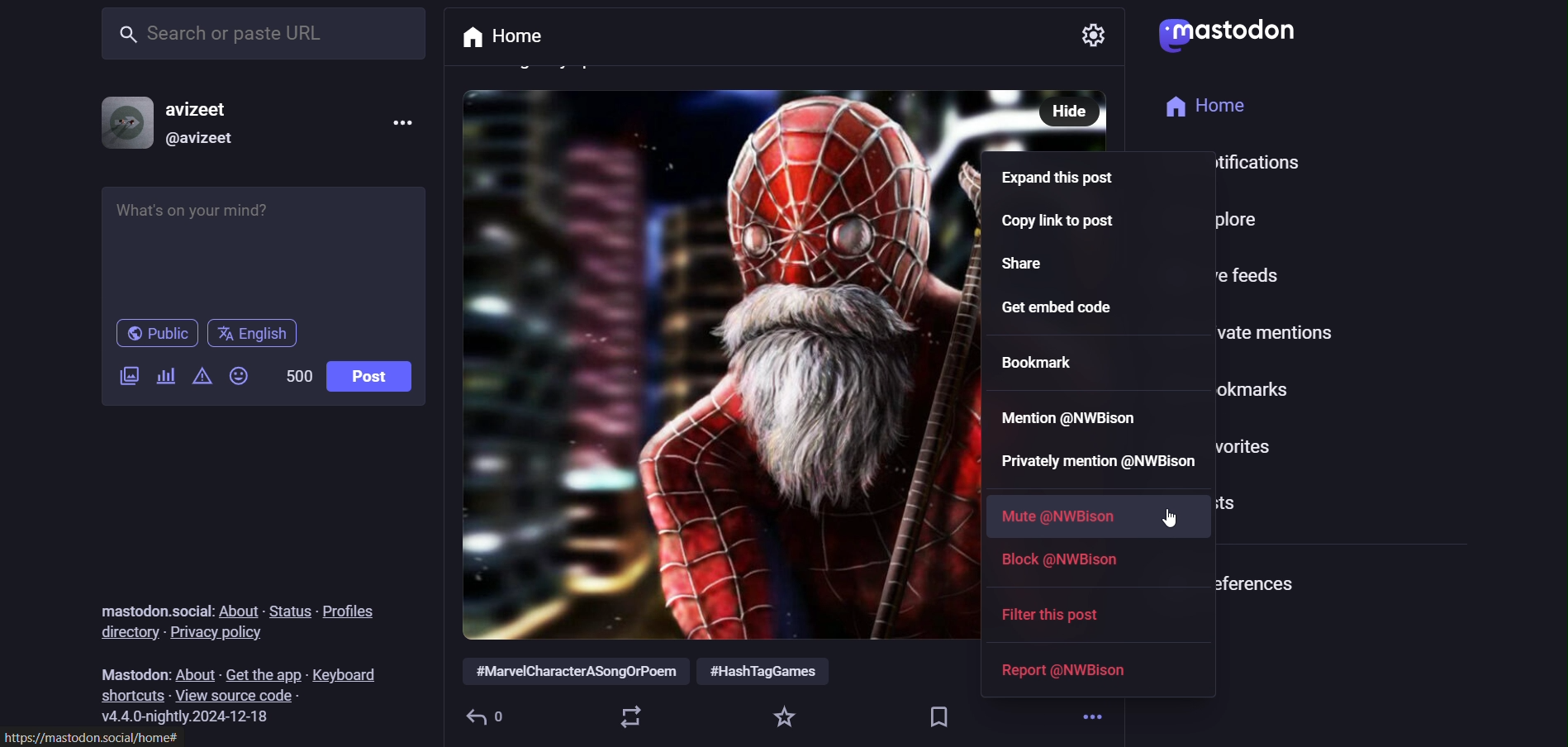 The width and height of the screenshot is (1568, 747). Describe the element at coordinates (1095, 464) in the screenshot. I see `privately mention user` at that location.